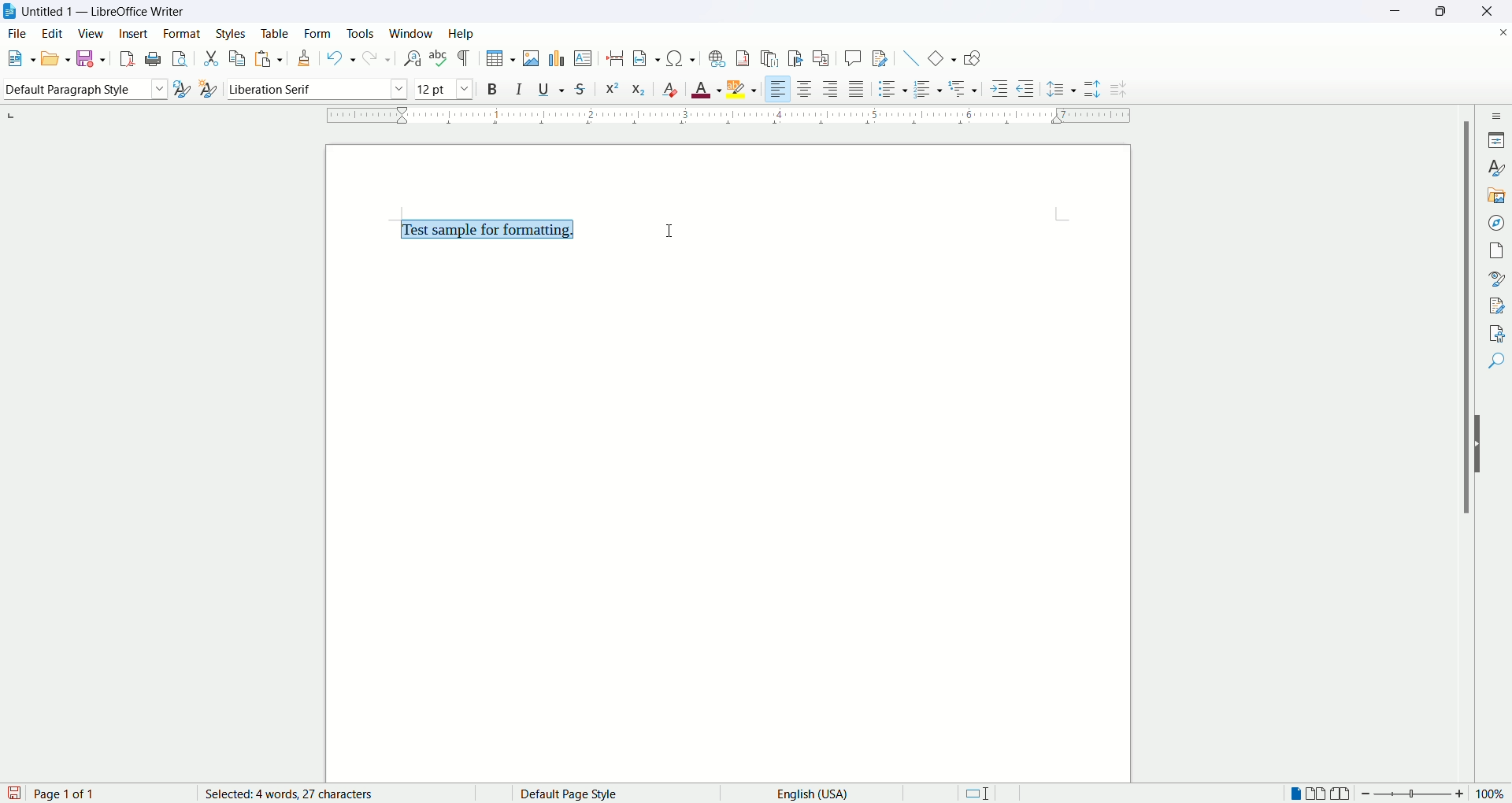  Describe the element at coordinates (1495, 334) in the screenshot. I see `accessibility check` at that location.